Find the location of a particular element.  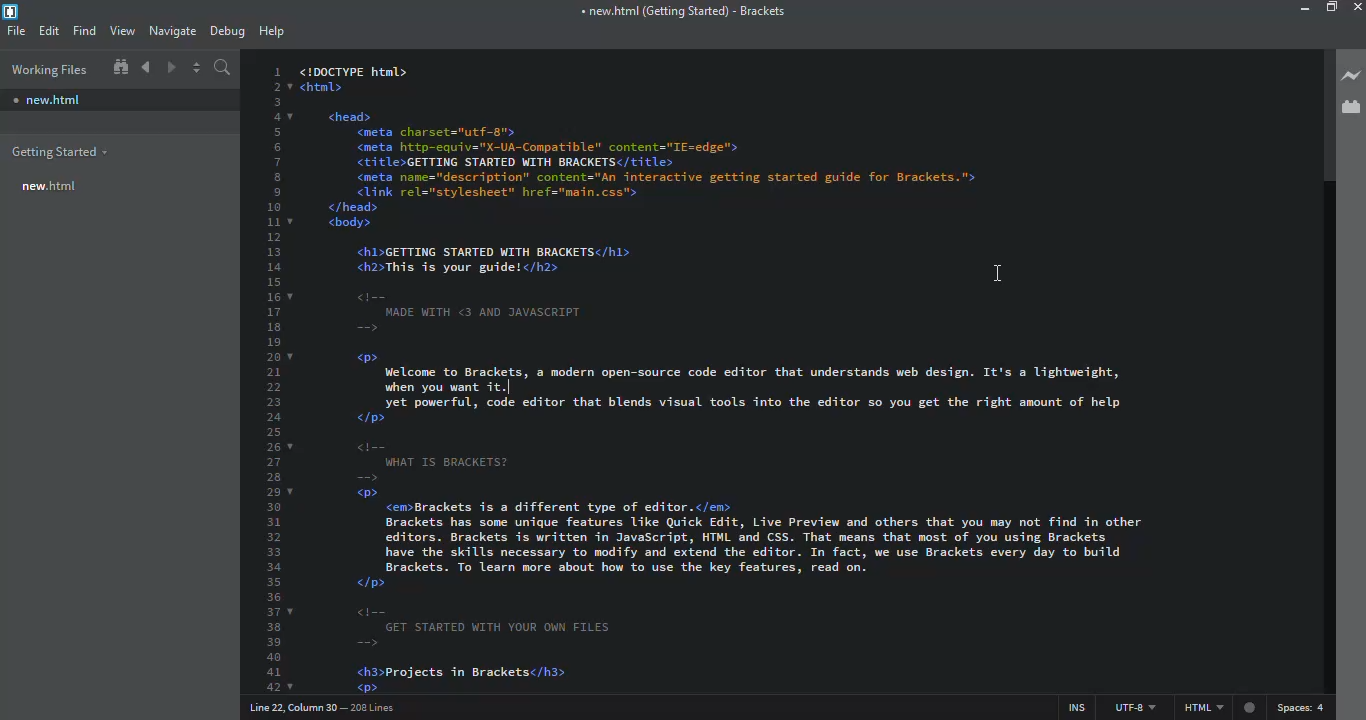

test code is located at coordinates (515, 287).